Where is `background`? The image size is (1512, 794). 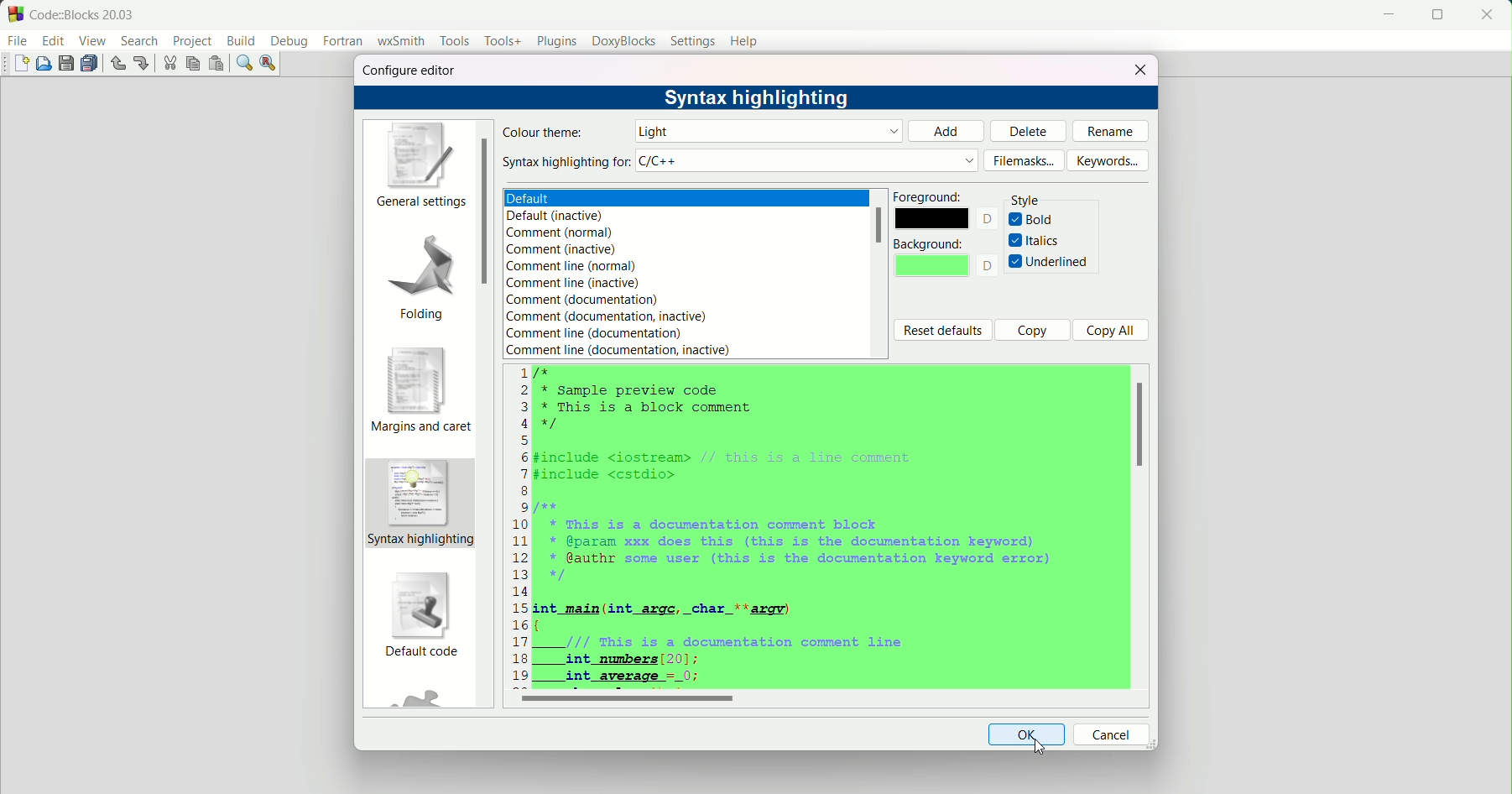
background is located at coordinates (931, 243).